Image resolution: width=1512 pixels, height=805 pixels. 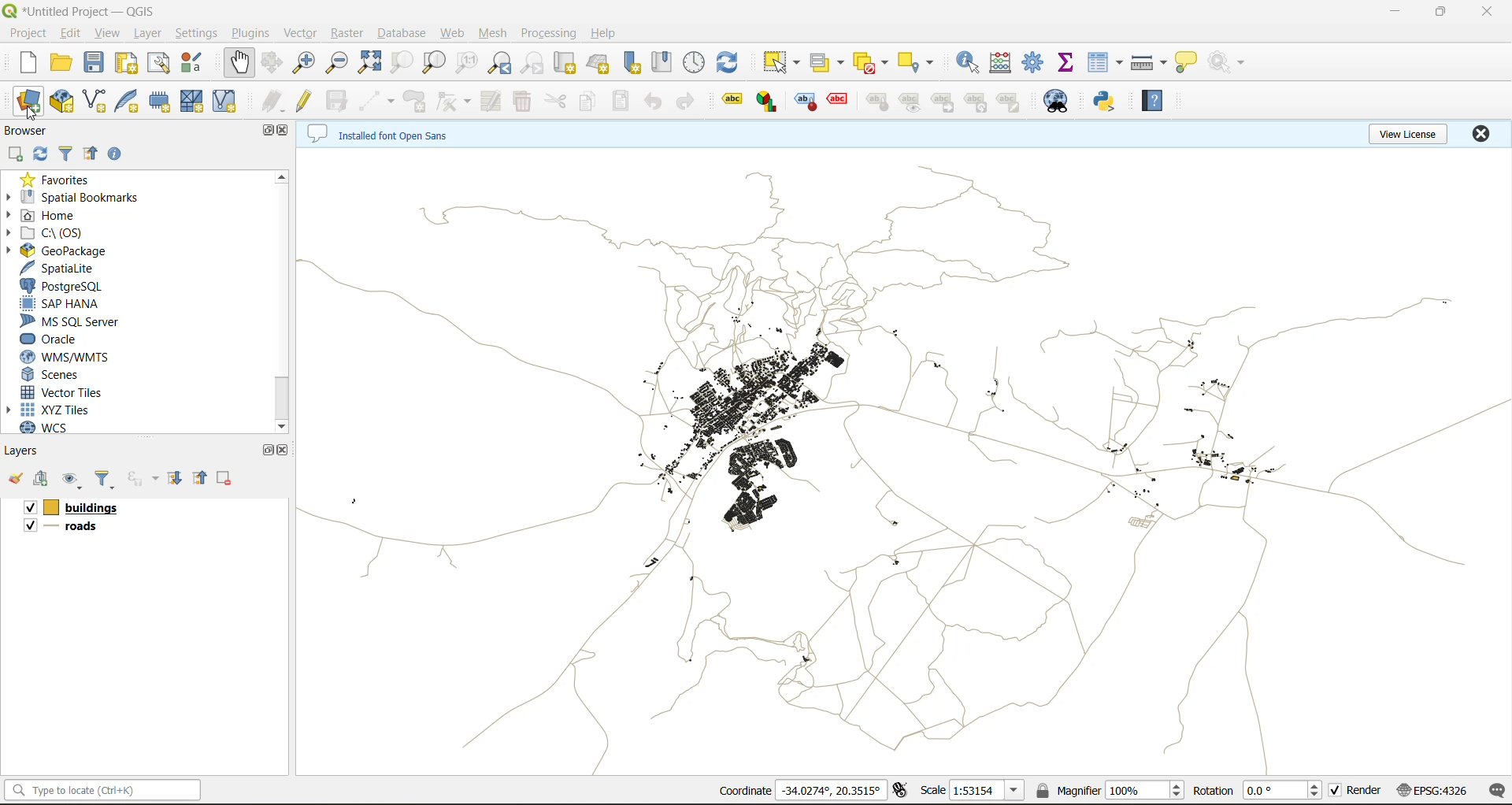 What do you see at coordinates (1067, 790) in the screenshot?
I see `magnifier` at bounding box center [1067, 790].